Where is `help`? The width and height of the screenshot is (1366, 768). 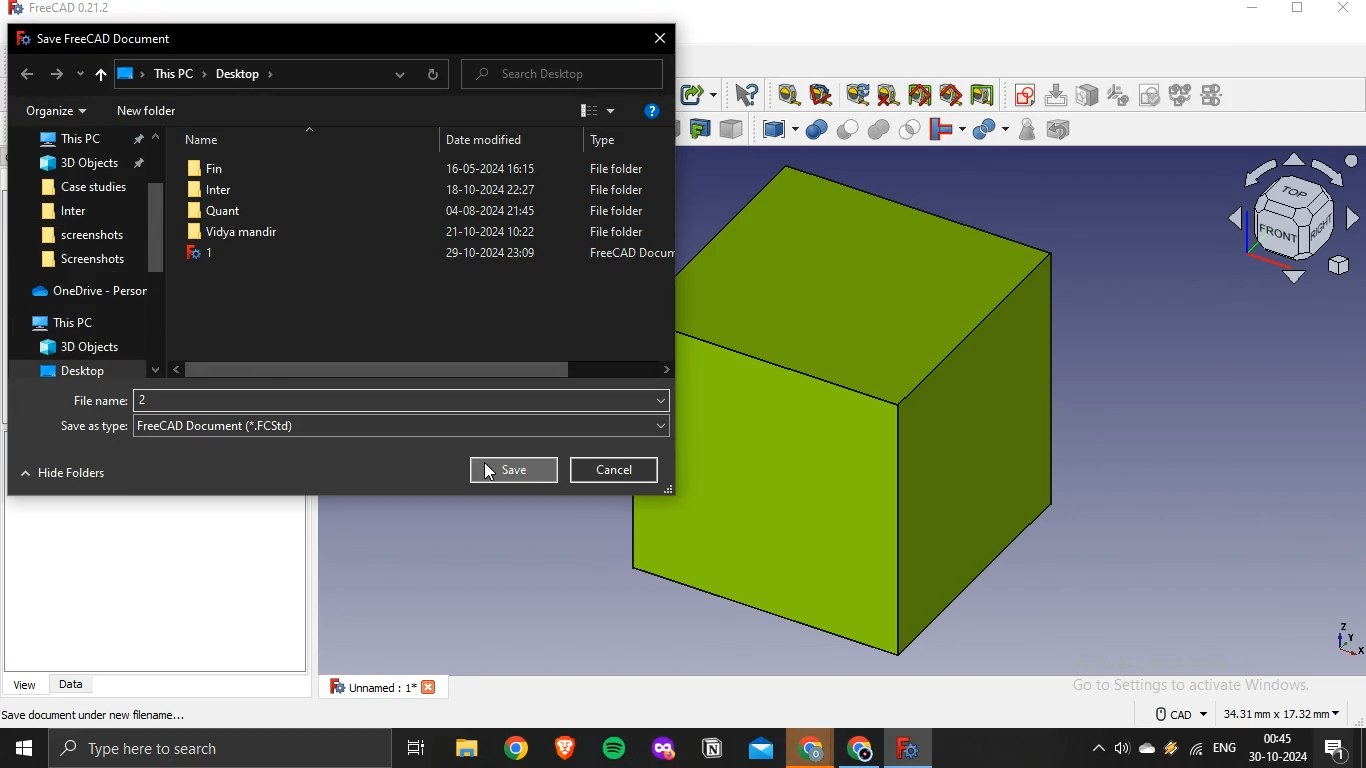
help is located at coordinates (657, 109).